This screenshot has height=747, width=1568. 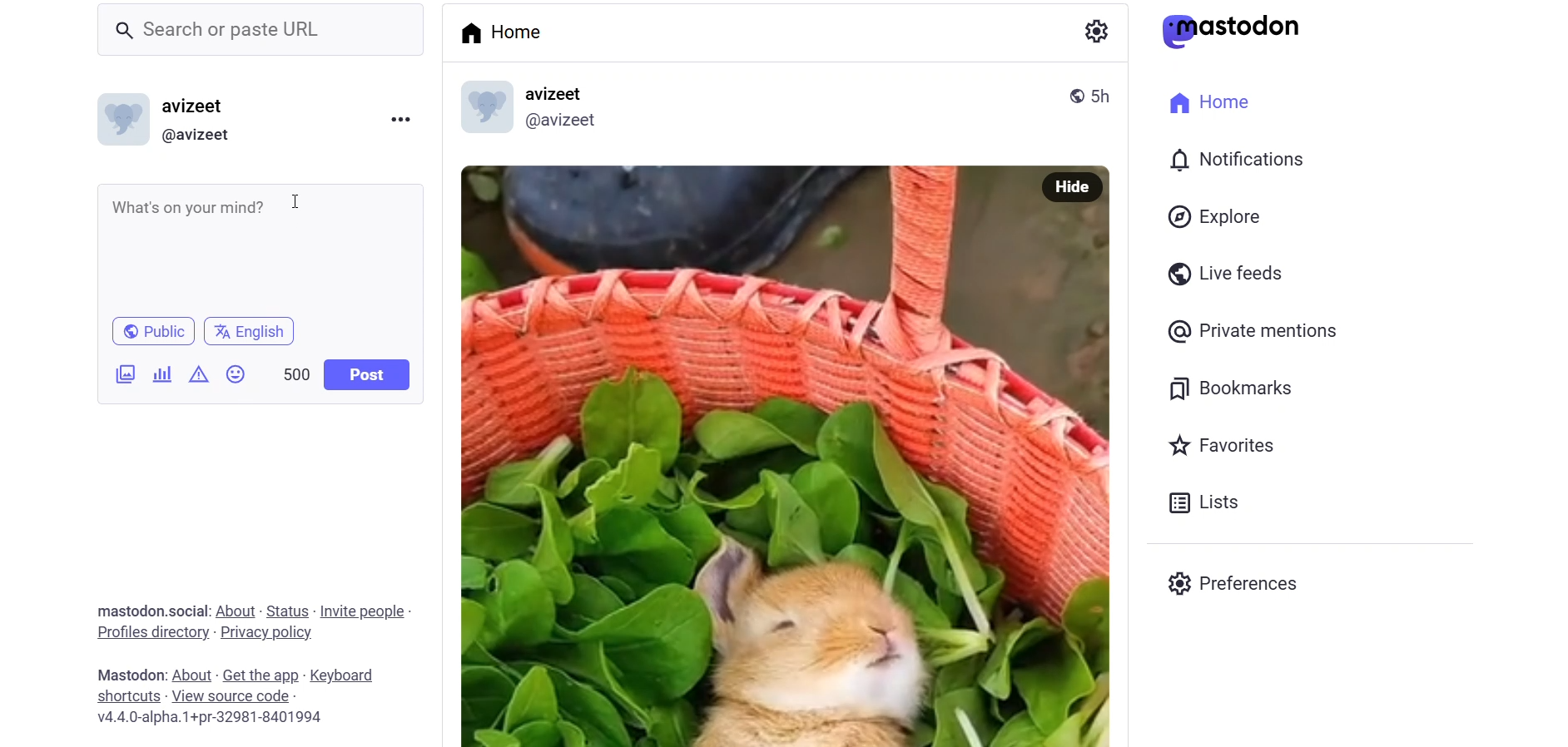 What do you see at coordinates (198, 374) in the screenshot?
I see `content warning` at bounding box center [198, 374].